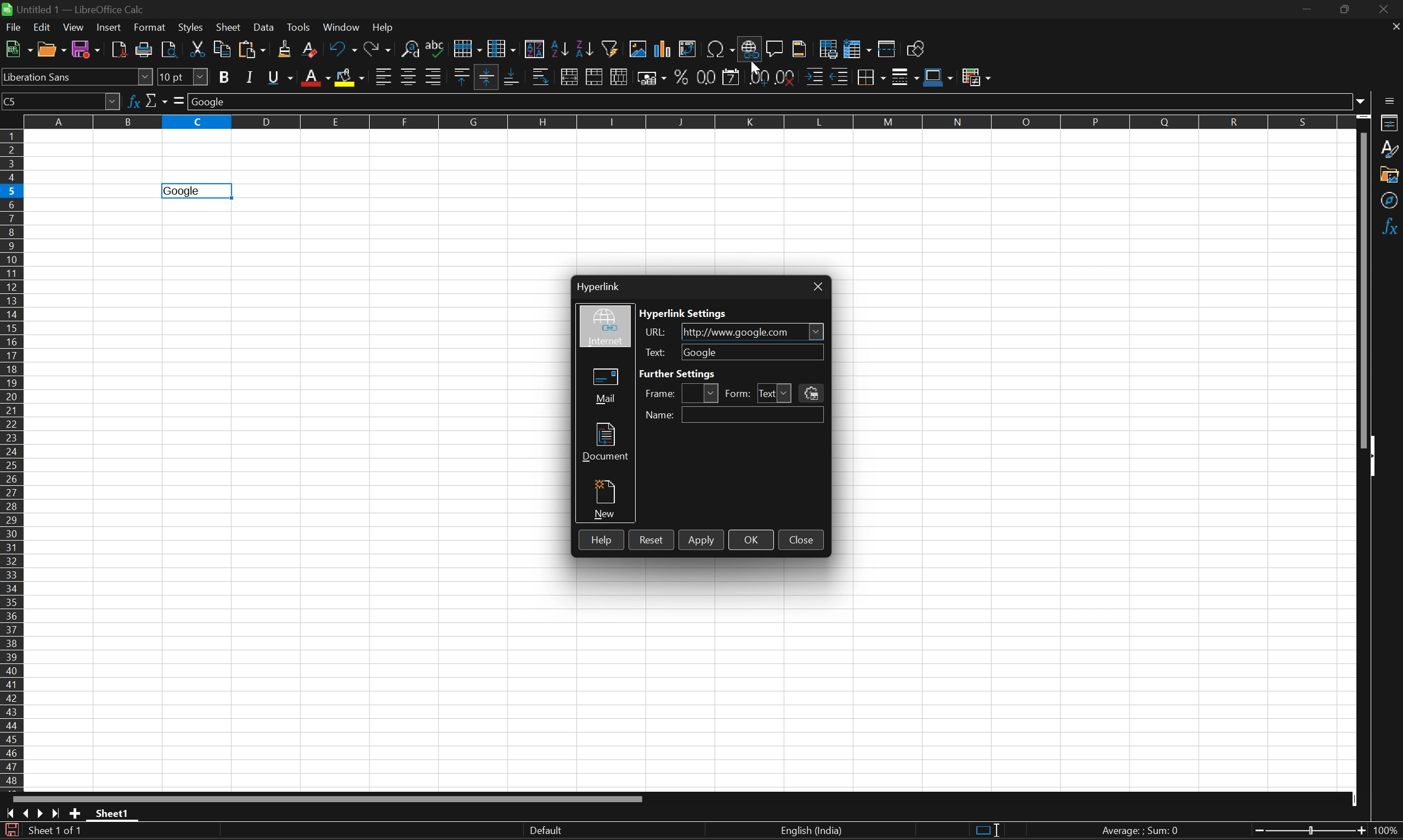 This screenshot has height=840, width=1403. What do you see at coordinates (437, 44) in the screenshot?
I see `Spelling` at bounding box center [437, 44].